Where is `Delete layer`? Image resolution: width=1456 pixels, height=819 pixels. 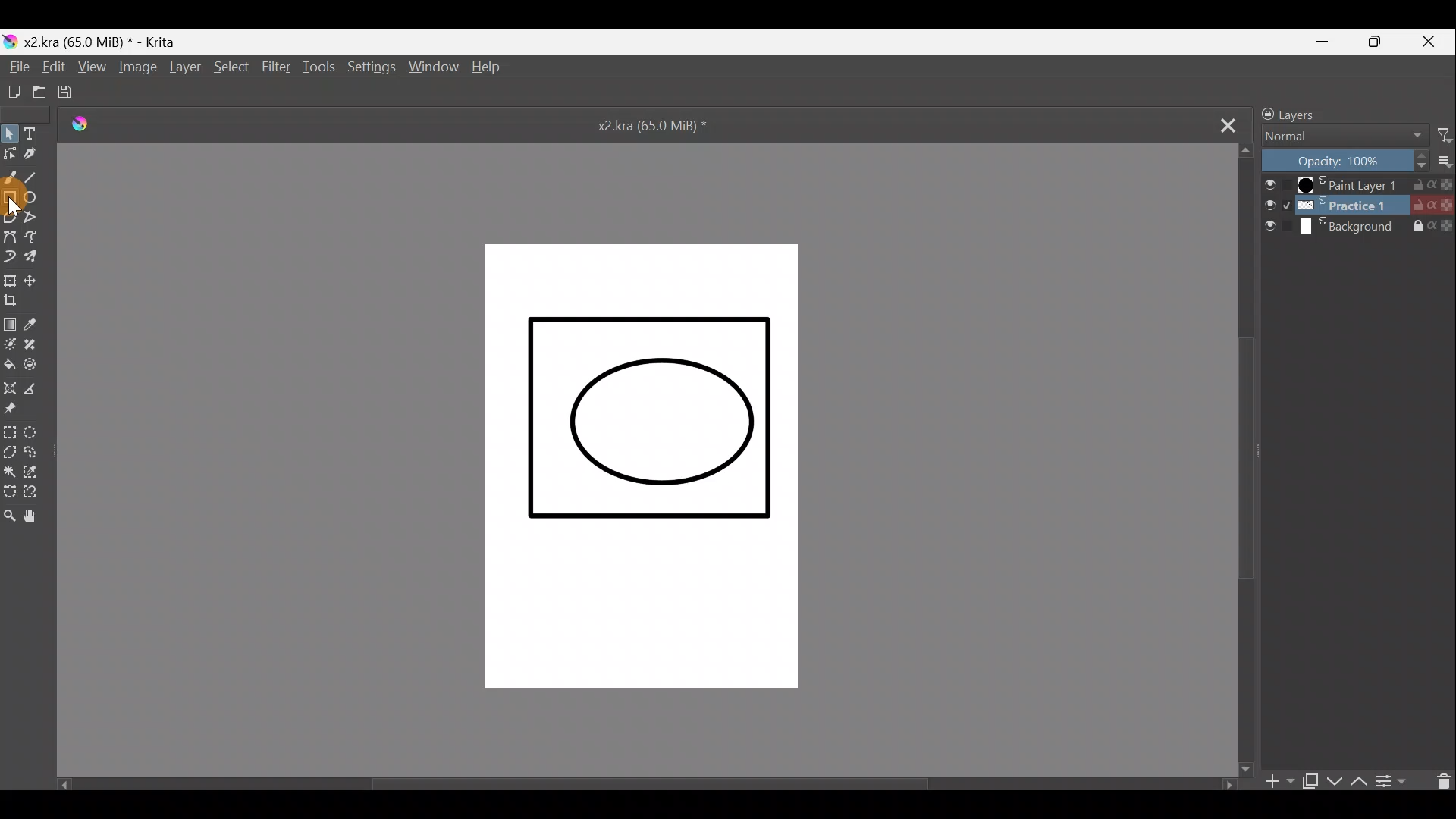
Delete layer is located at coordinates (1438, 783).